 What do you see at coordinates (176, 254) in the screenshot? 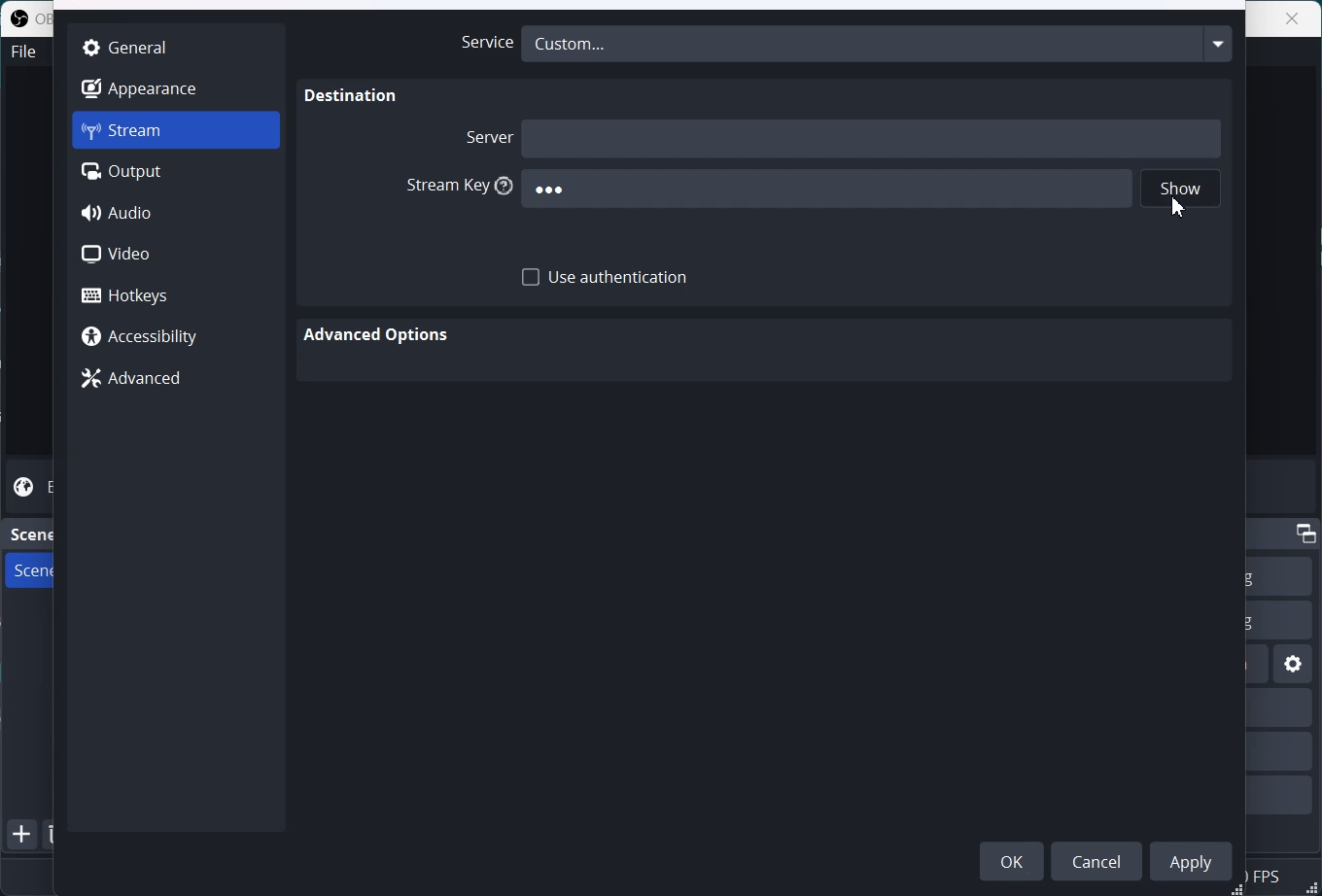
I see `Video` at bounding box center [176, 254].